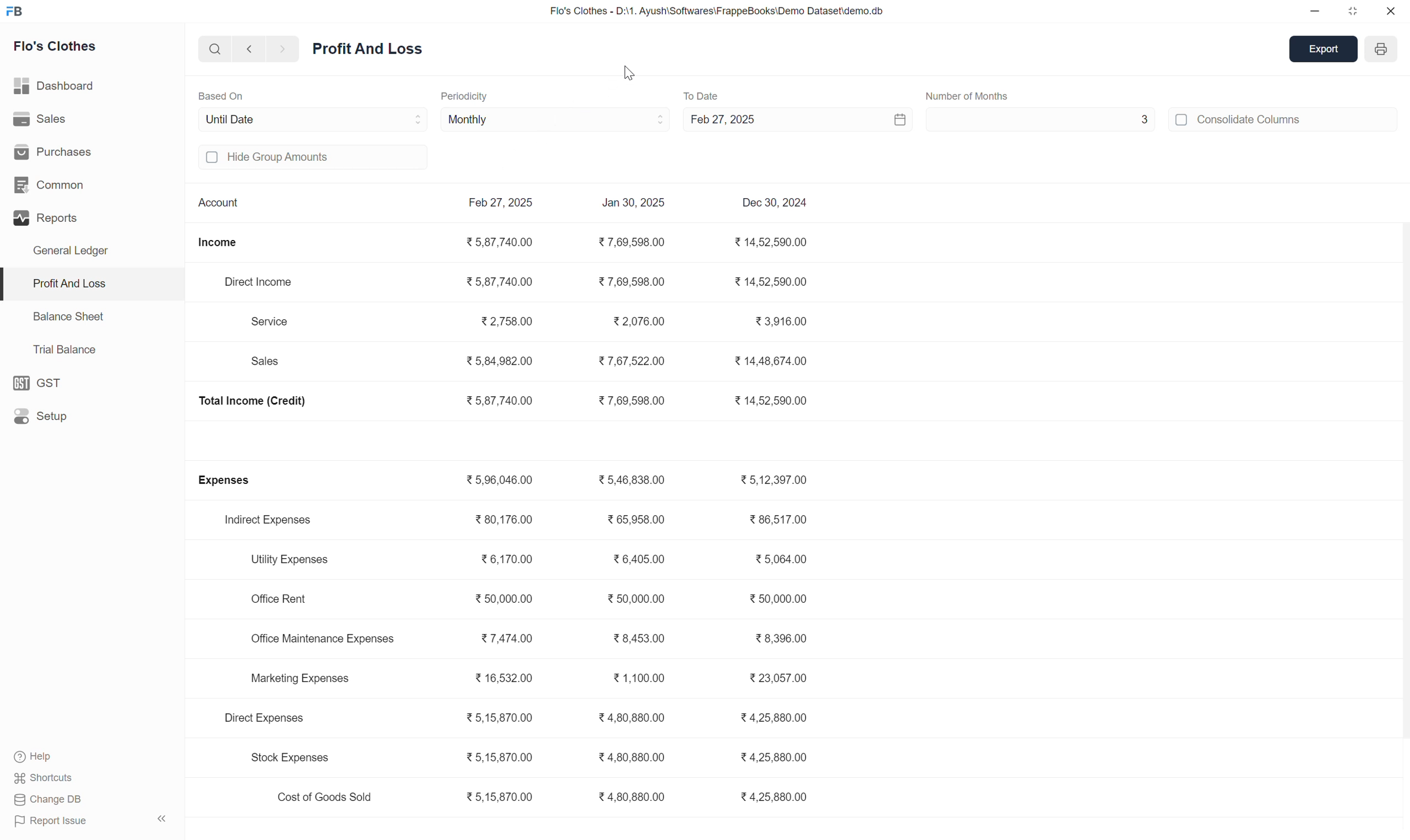 This screenshot has width=1410, height=840. I want to click on previous, so click(249, 48).